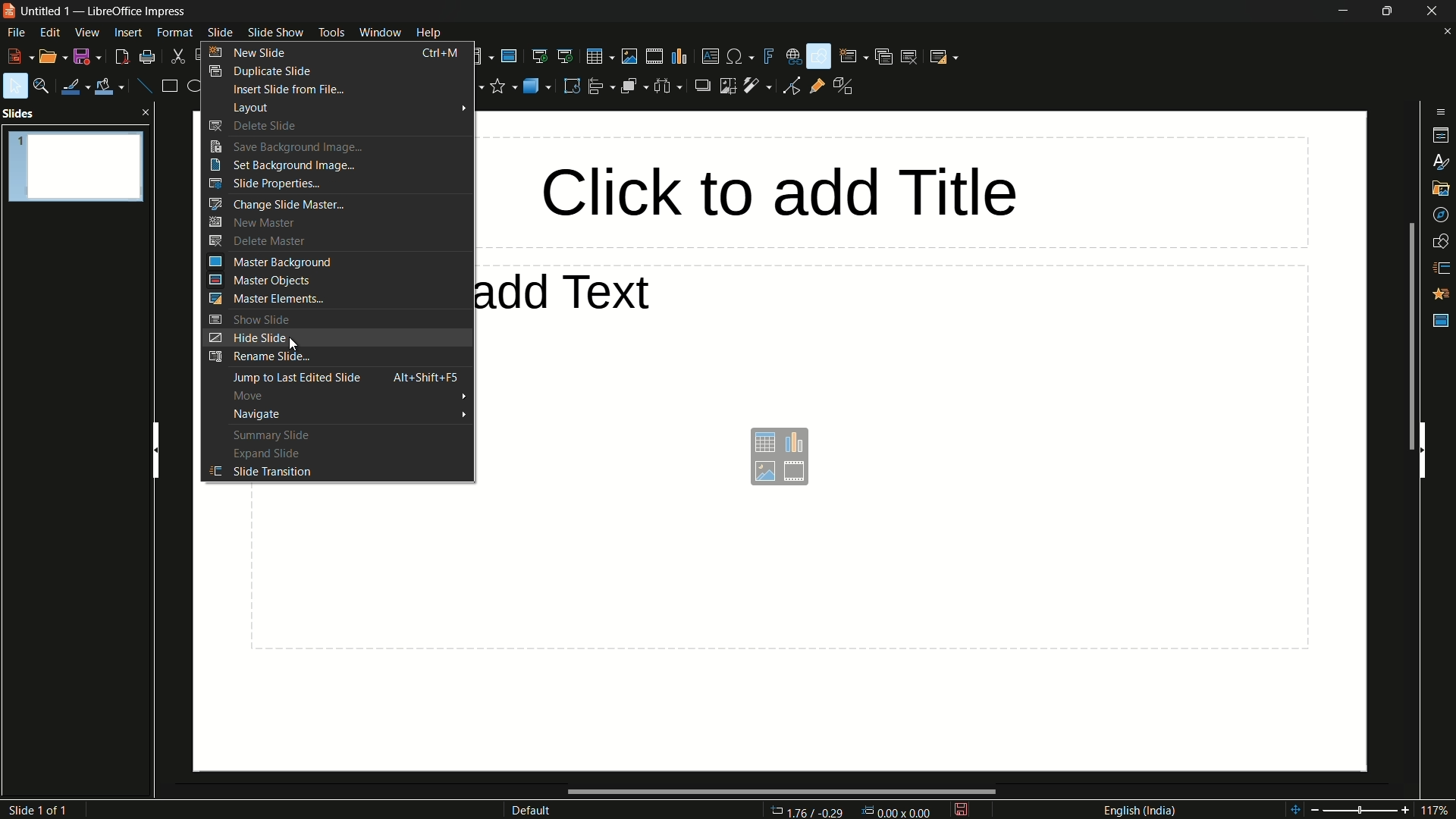 The image size is (1456, 819). What do you see at coordinates (158, 452) in the screenshot?
I see `hide pane` at bounding box center [158, 452].